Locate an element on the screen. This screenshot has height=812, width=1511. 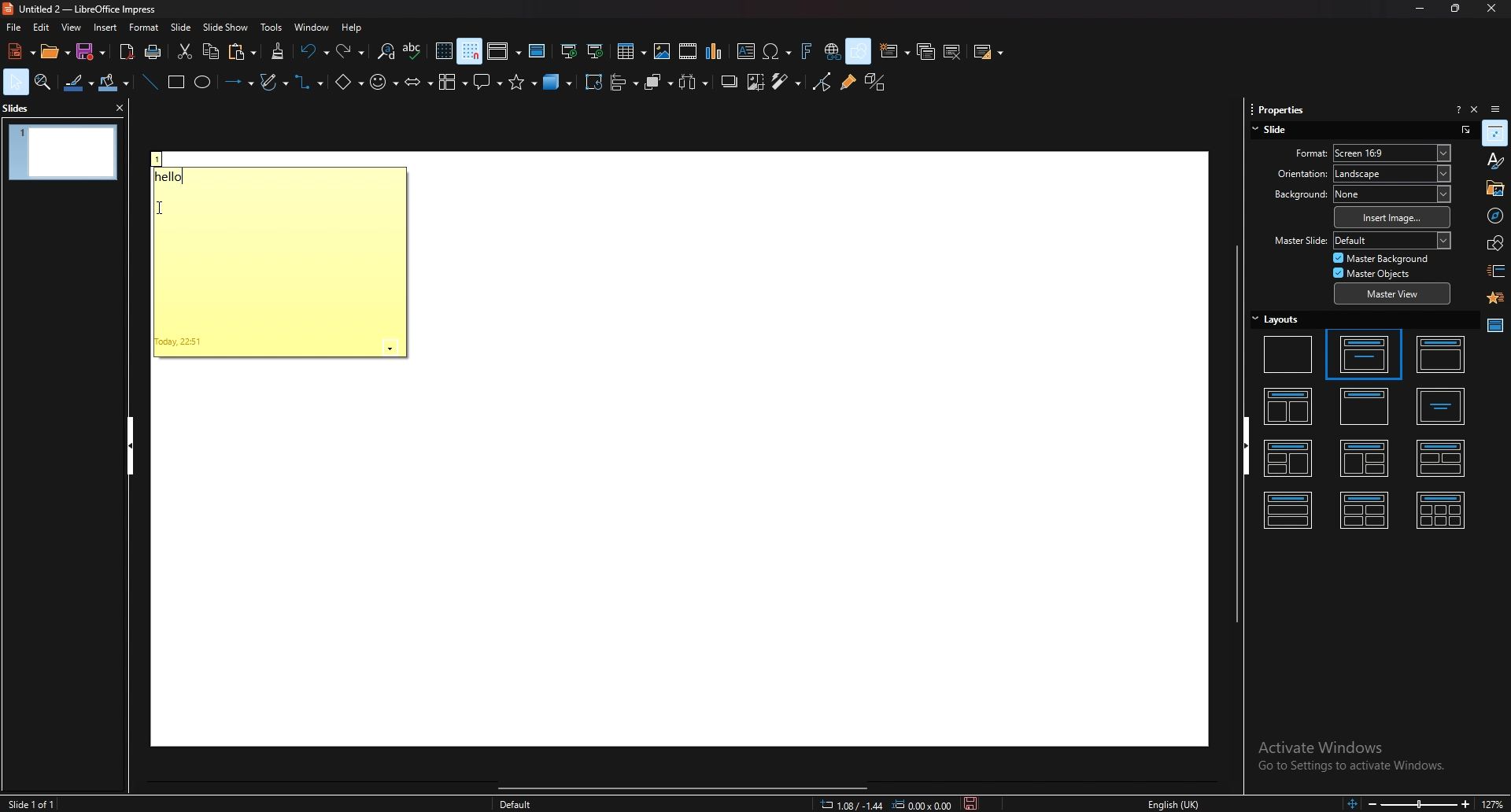
ellipse is located at coordinates (203, 83).